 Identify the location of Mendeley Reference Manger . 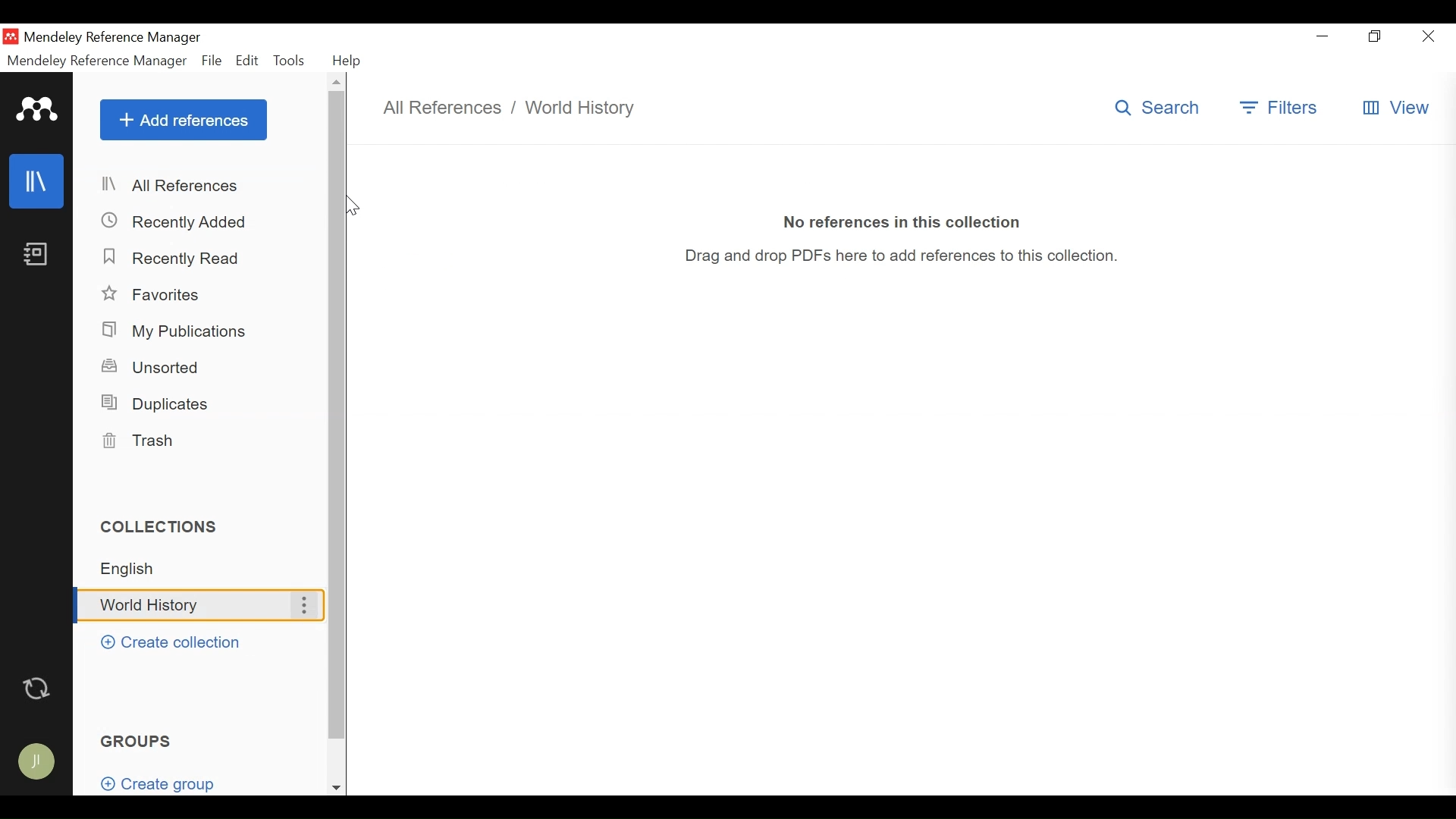
(97, 61).